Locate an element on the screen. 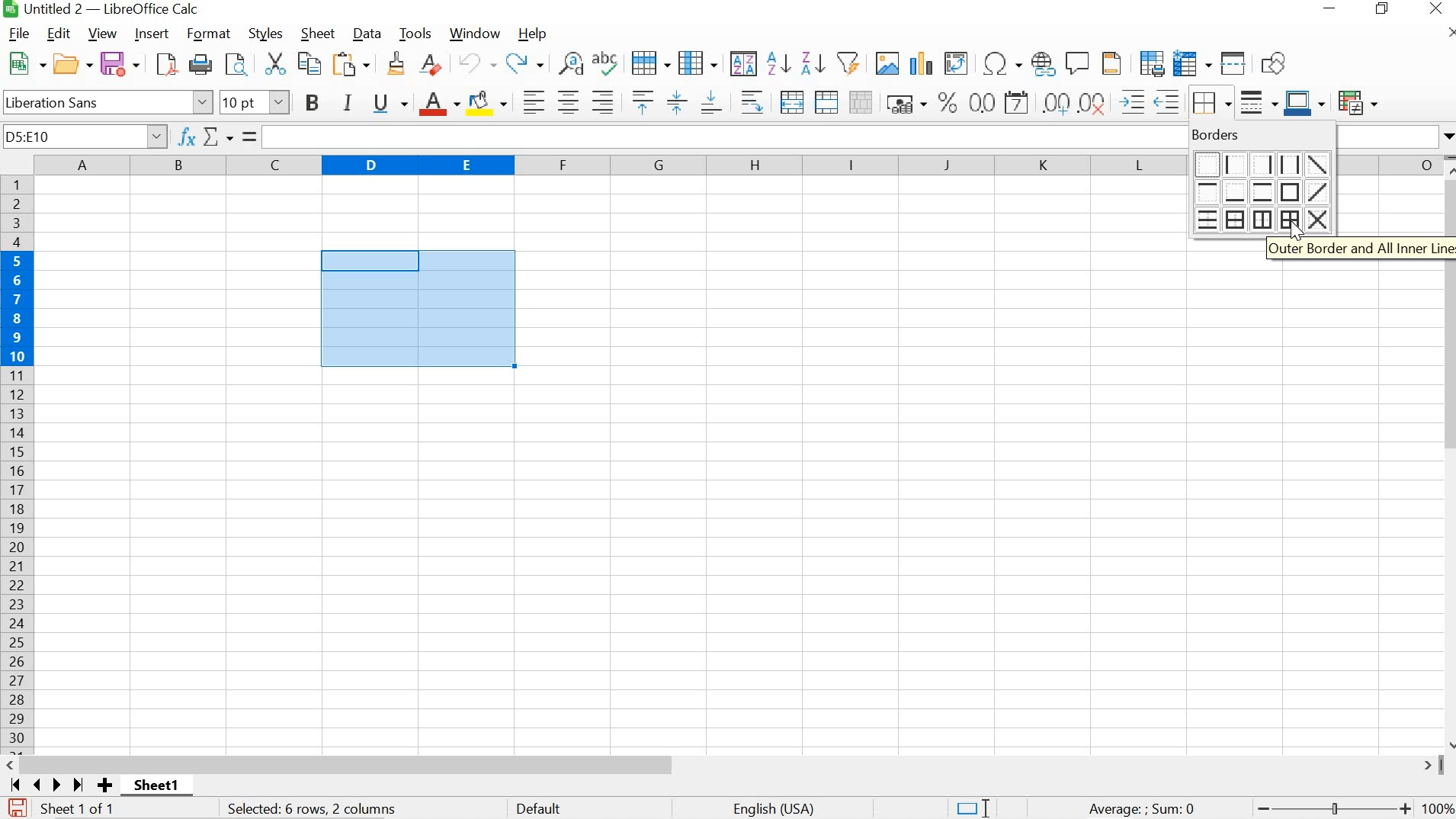 The image size is (1456, 819). insert chart is located at coordinates (922, 63).